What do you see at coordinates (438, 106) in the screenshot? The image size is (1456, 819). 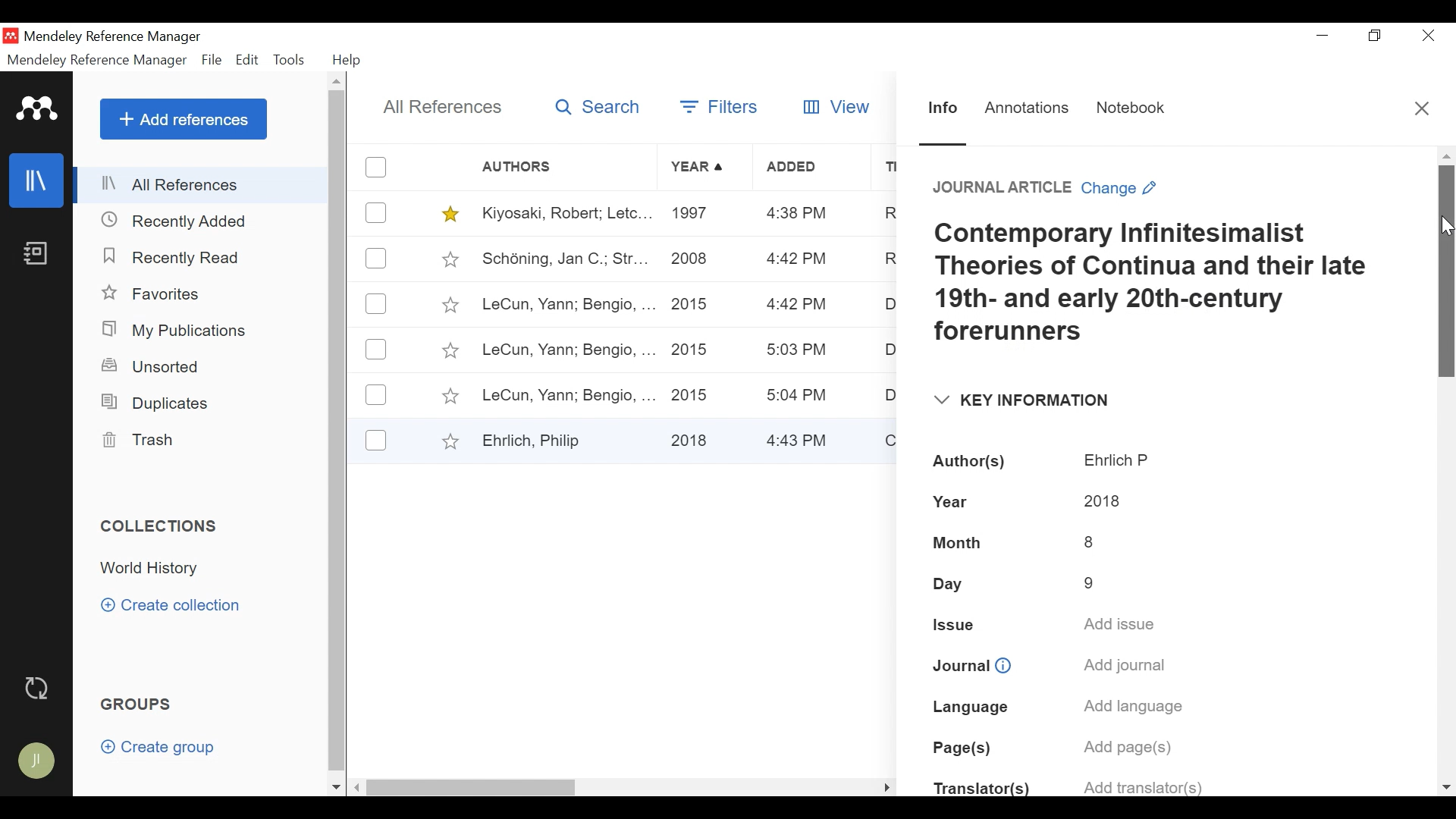 I see `All References` at bounding box center [438, 106].